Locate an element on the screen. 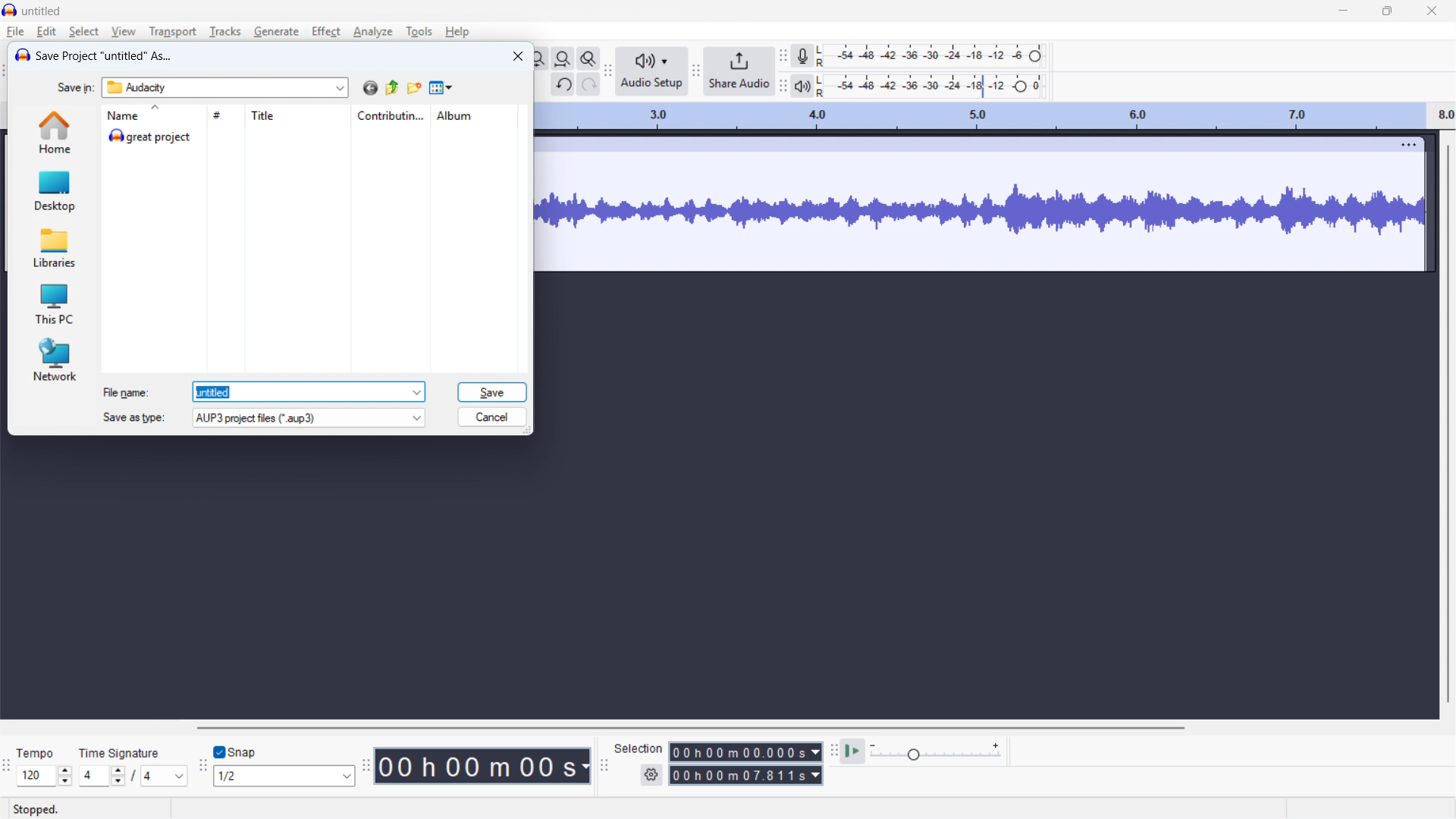 Image resolution: width=1456 pixels, height=819 pixels. name is located at coordinates (152, 115).